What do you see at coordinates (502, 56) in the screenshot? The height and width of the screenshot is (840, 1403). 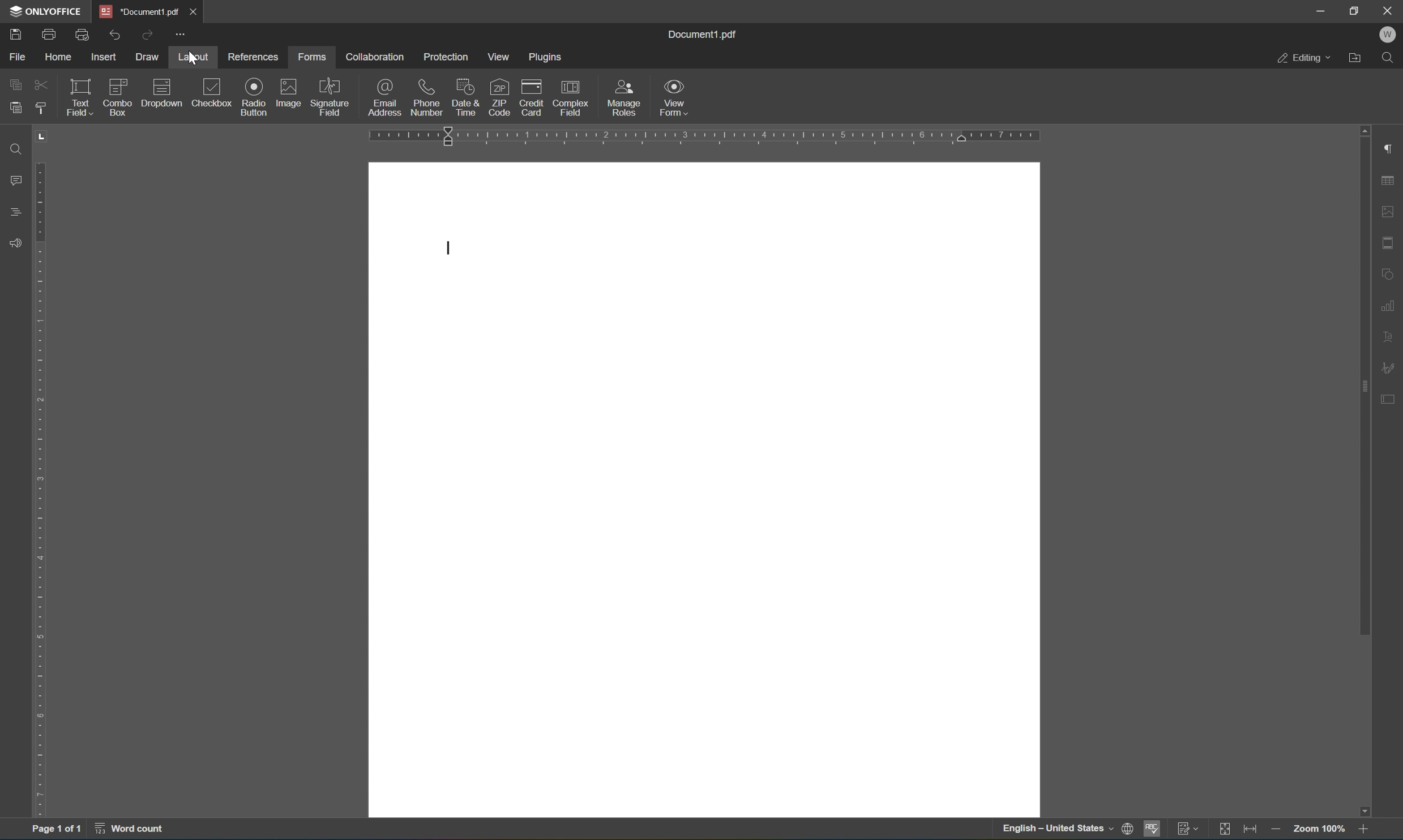 I see `view` at bounding box center [502, 56].